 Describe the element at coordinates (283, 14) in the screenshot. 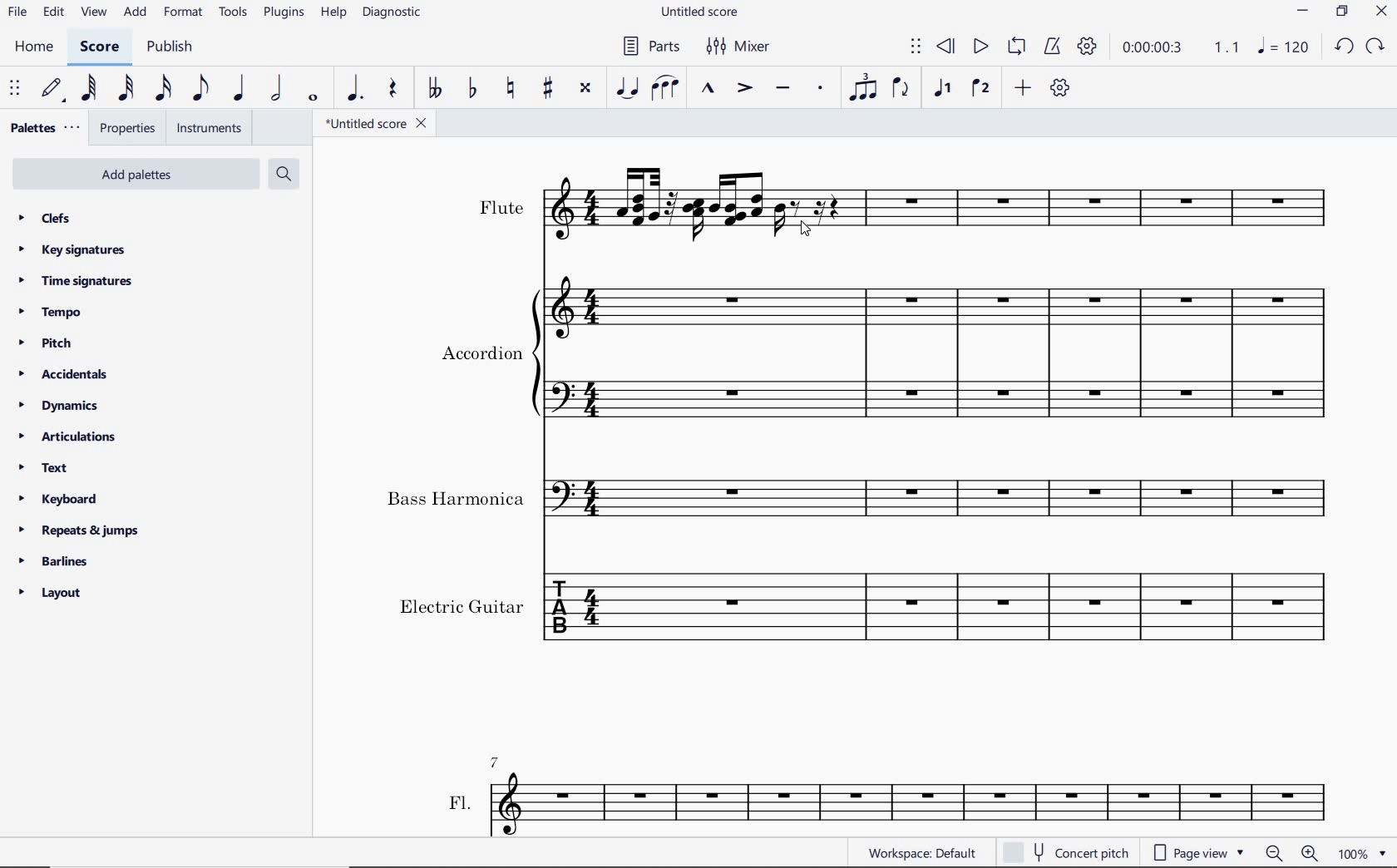

I see `plugins` at that location.